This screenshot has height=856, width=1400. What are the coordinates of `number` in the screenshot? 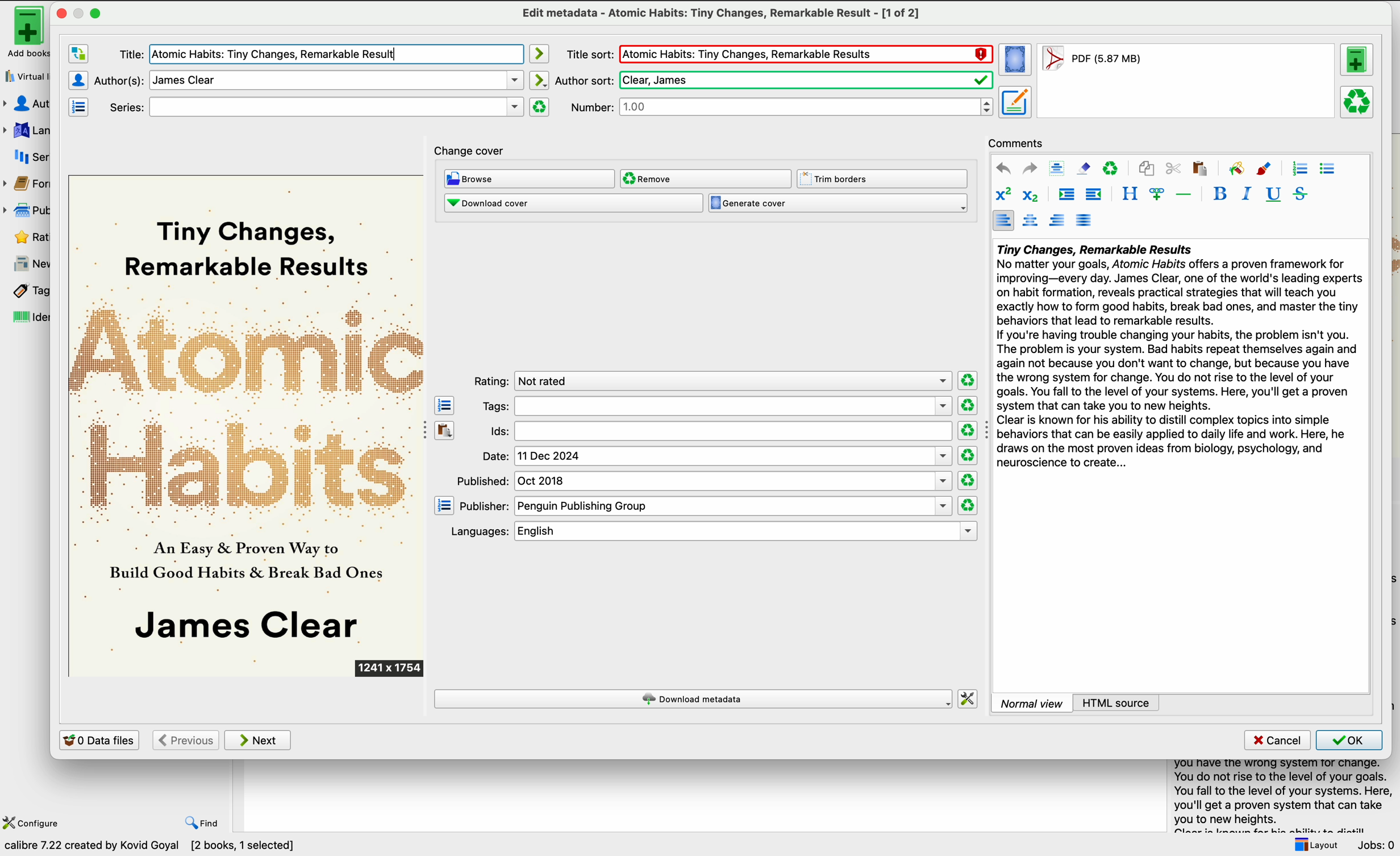 It's located at (782, 107).